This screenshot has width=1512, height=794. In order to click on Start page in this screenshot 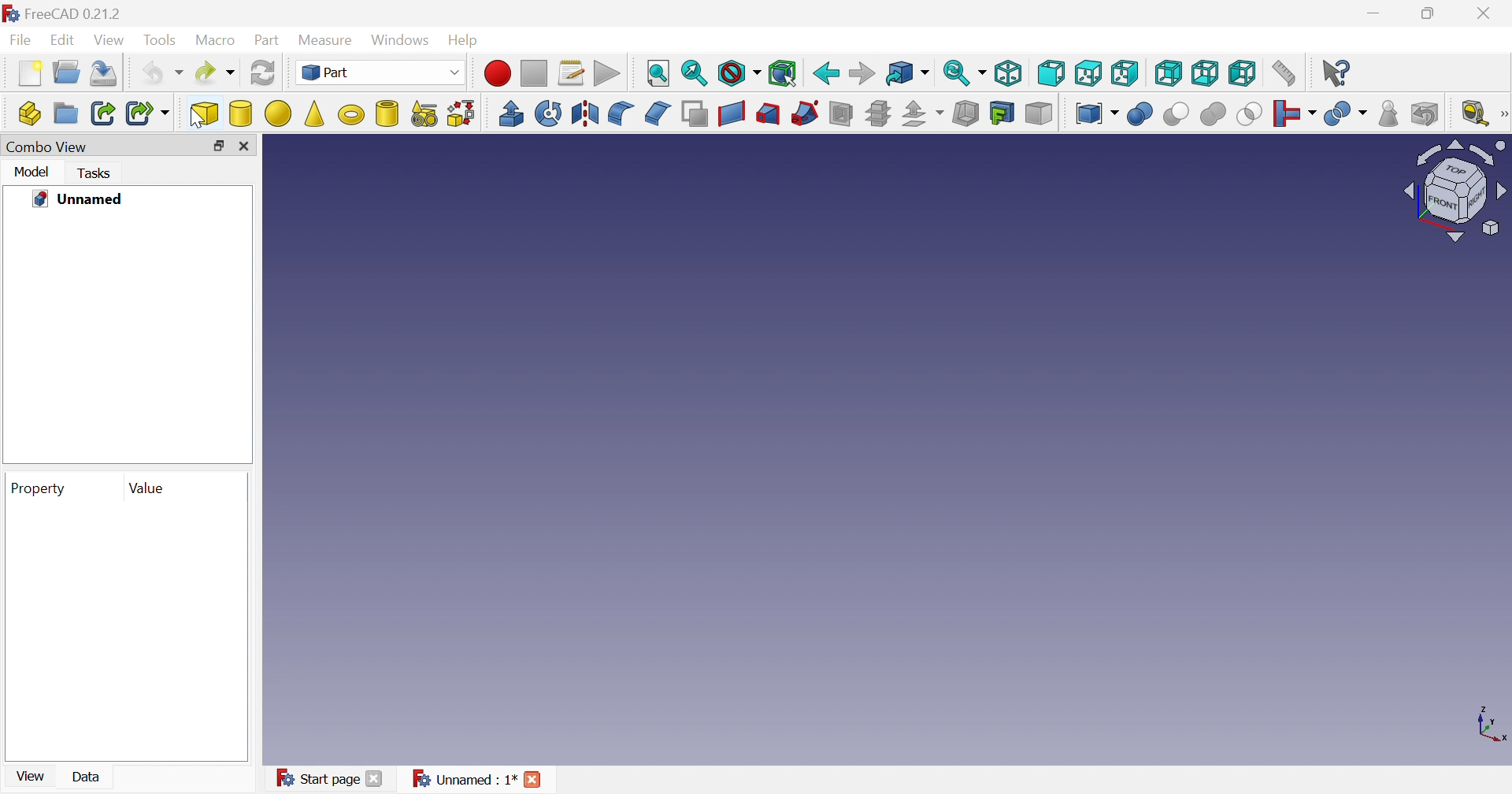, I will do `click(317, 777)`.